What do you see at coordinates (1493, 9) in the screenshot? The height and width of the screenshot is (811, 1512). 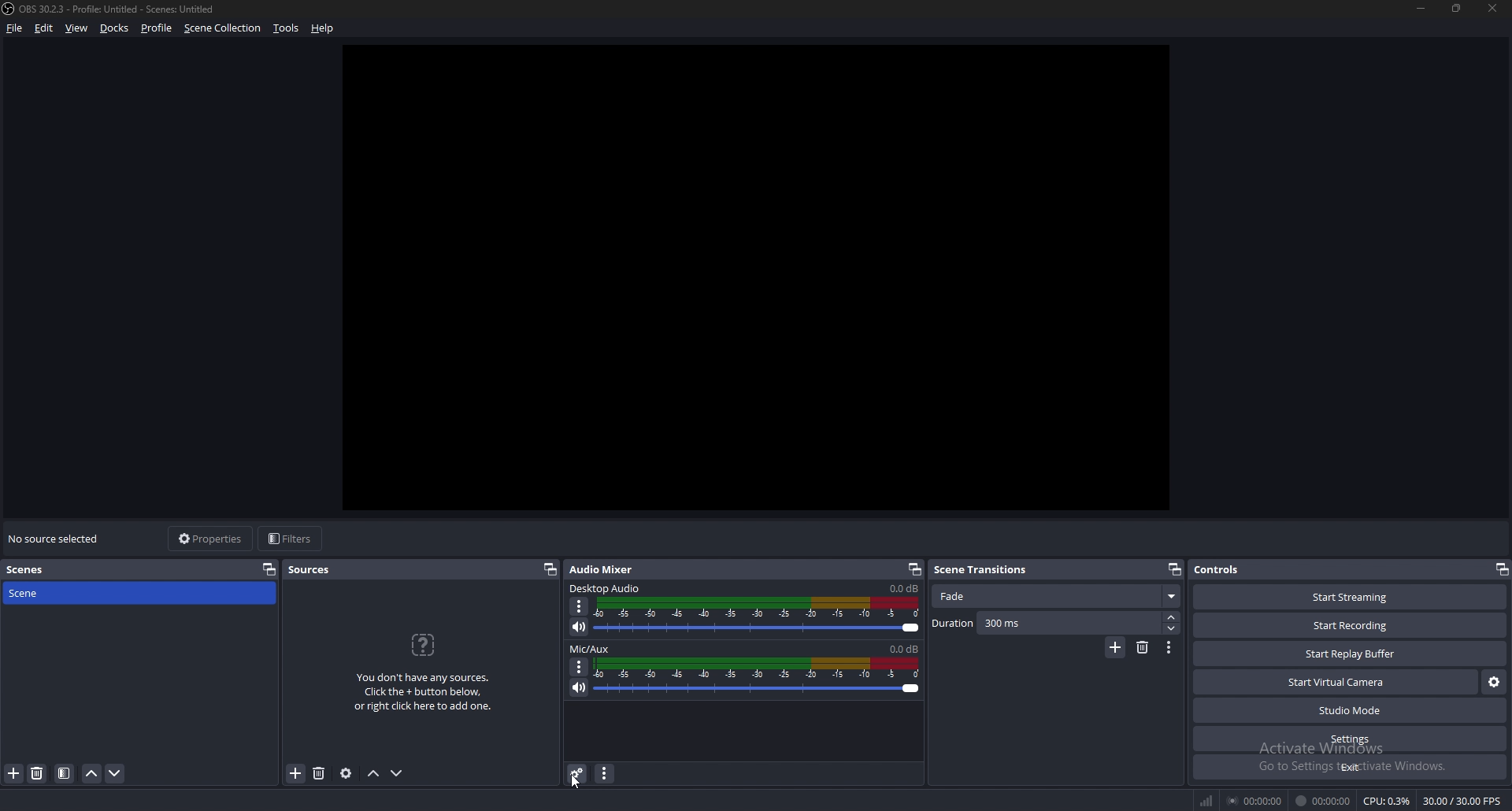 I see `close` at bounding box center [1493, 9].